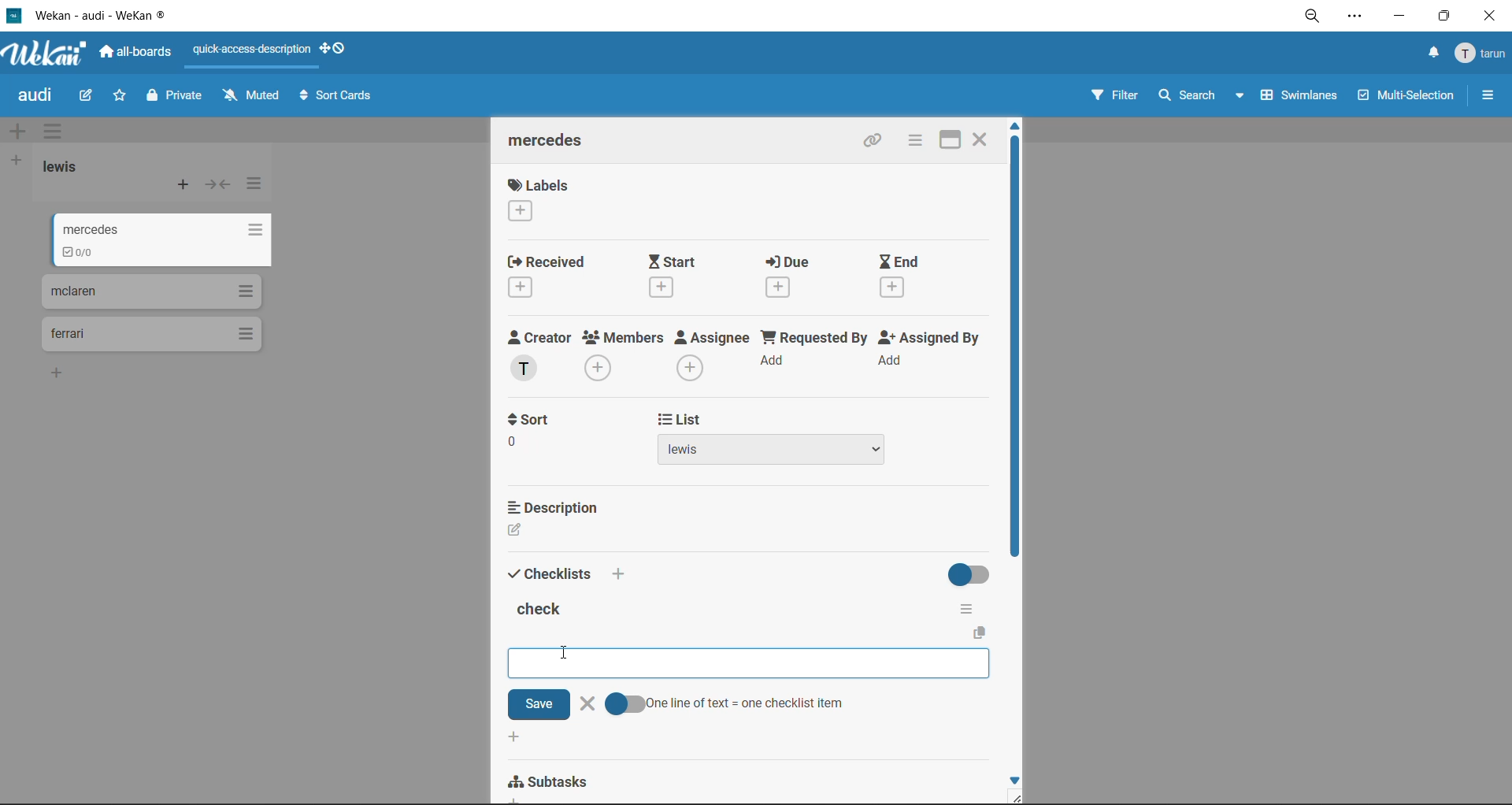 The height and width of the screenshot is (805, 1512). Describe the element at coordinates (218, 188) in the screenshot. I see `collapse` at that location.